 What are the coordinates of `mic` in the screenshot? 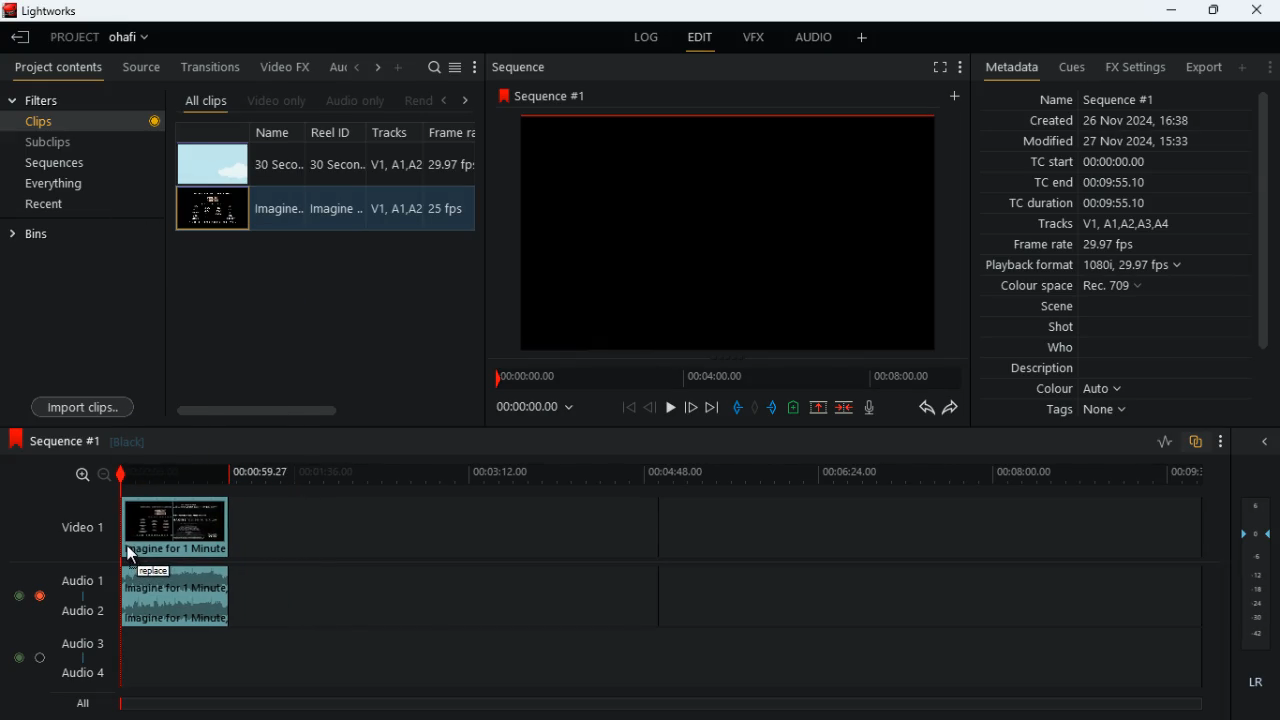 It's located at (874, 410).